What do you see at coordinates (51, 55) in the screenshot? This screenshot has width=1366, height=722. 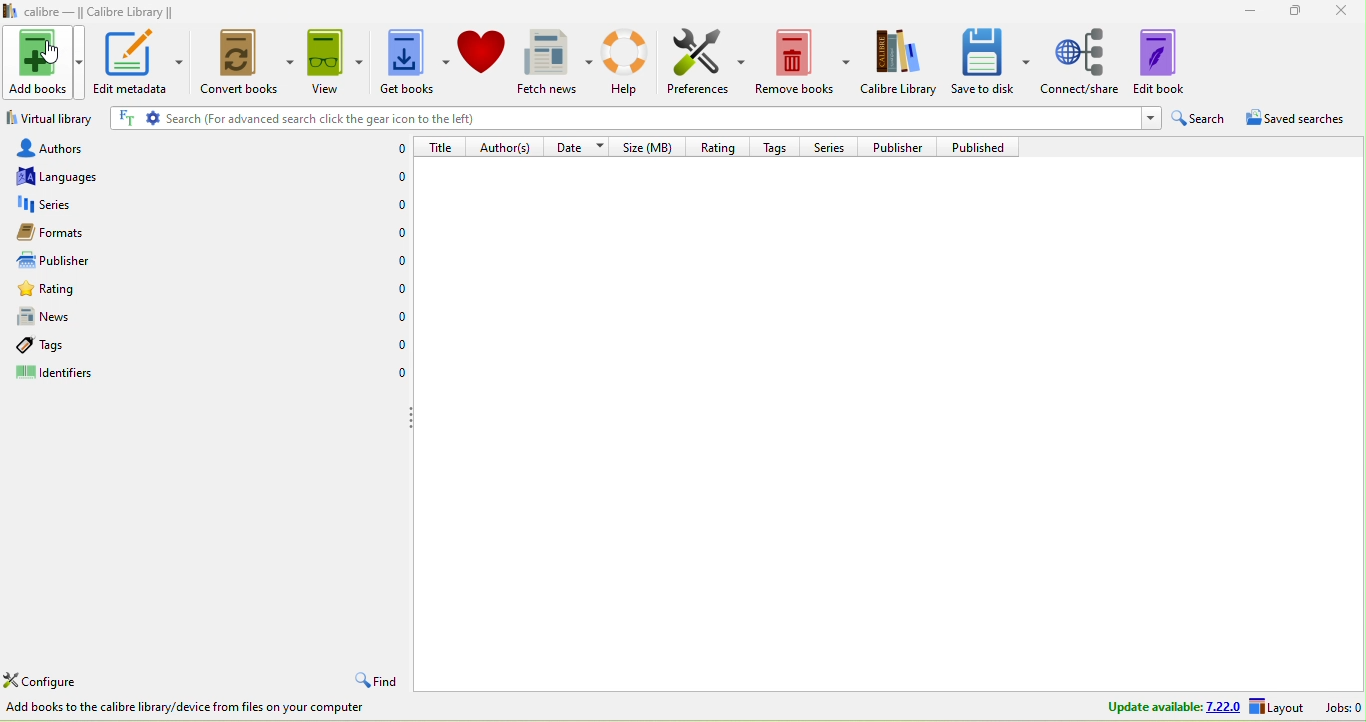 I see `cursor movement` at bounding box center [51, 55].